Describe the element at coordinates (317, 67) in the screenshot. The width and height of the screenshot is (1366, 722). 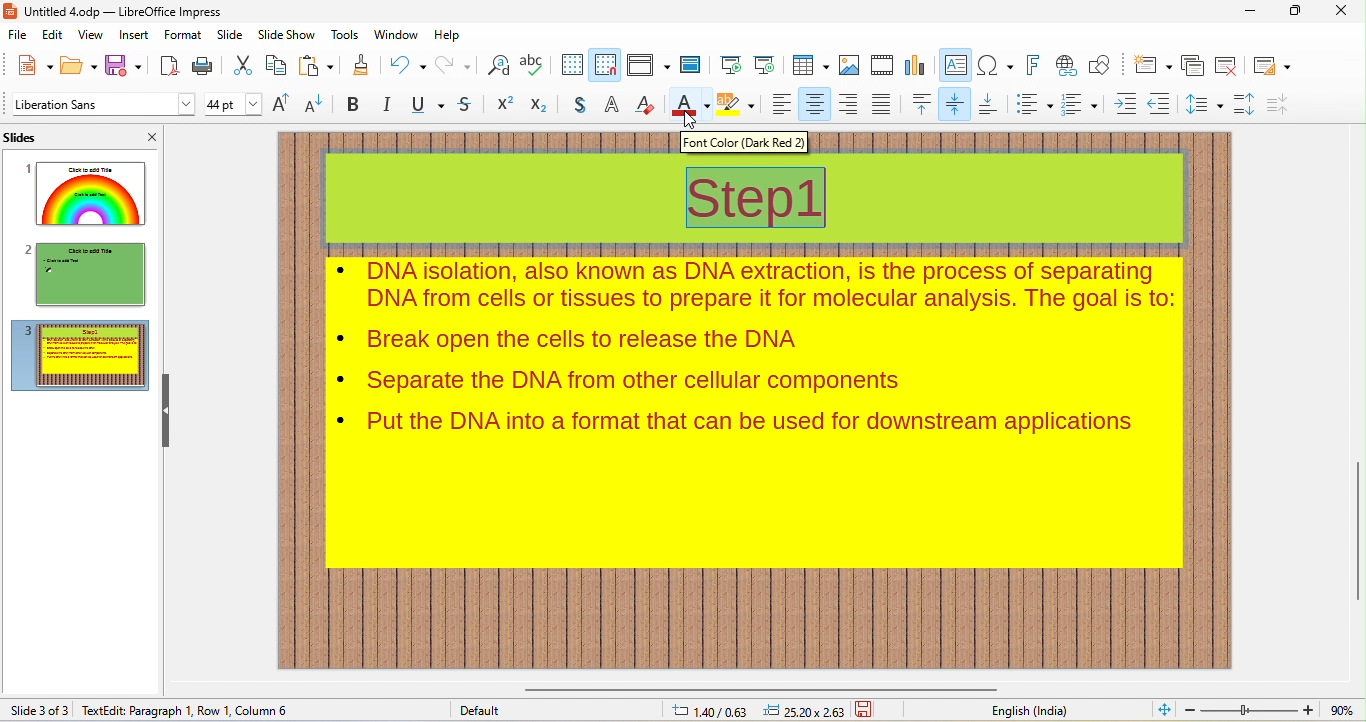
I see `paste` at that location.